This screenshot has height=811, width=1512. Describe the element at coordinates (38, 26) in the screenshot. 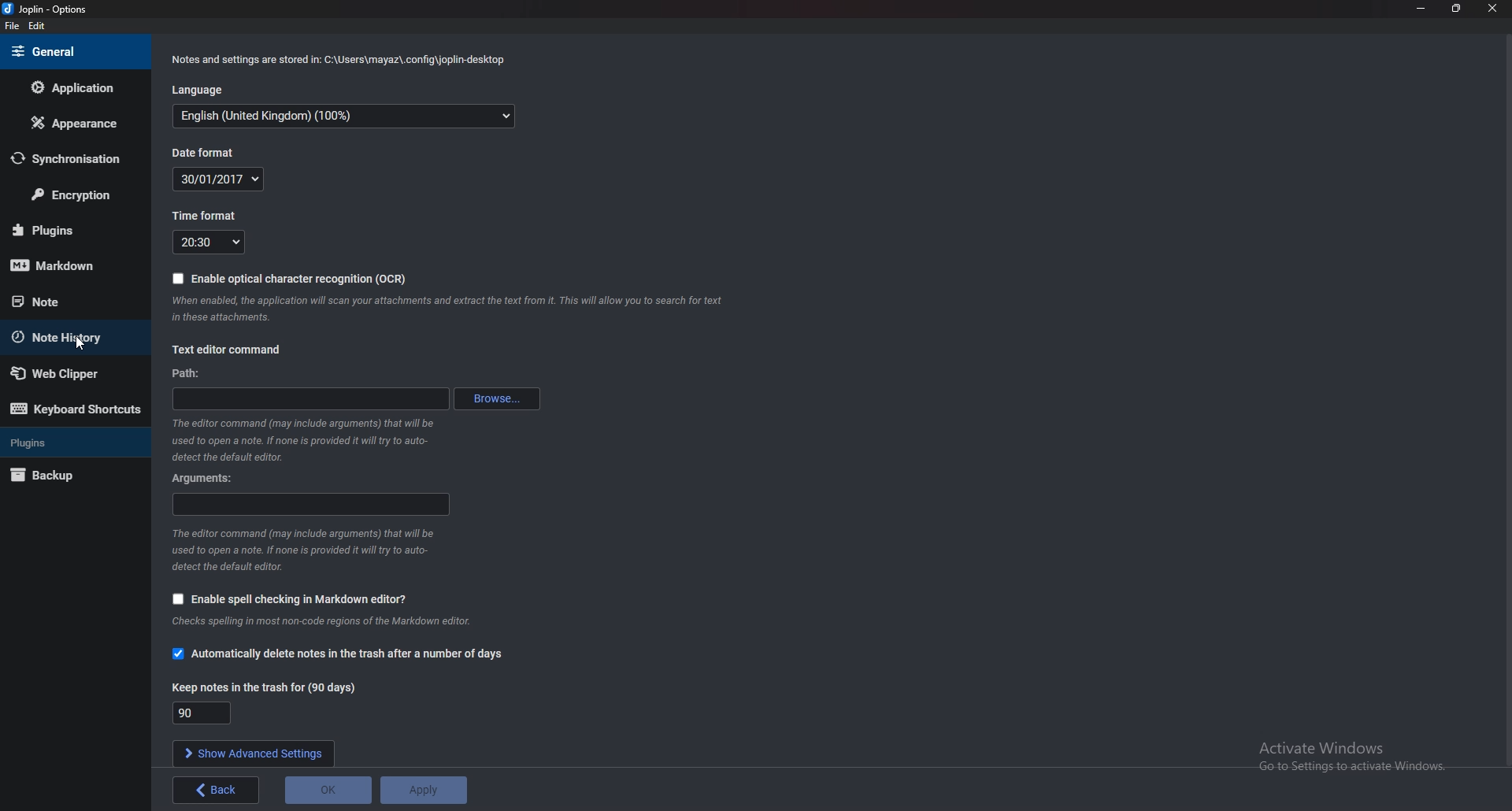

I see `edit` at that location.